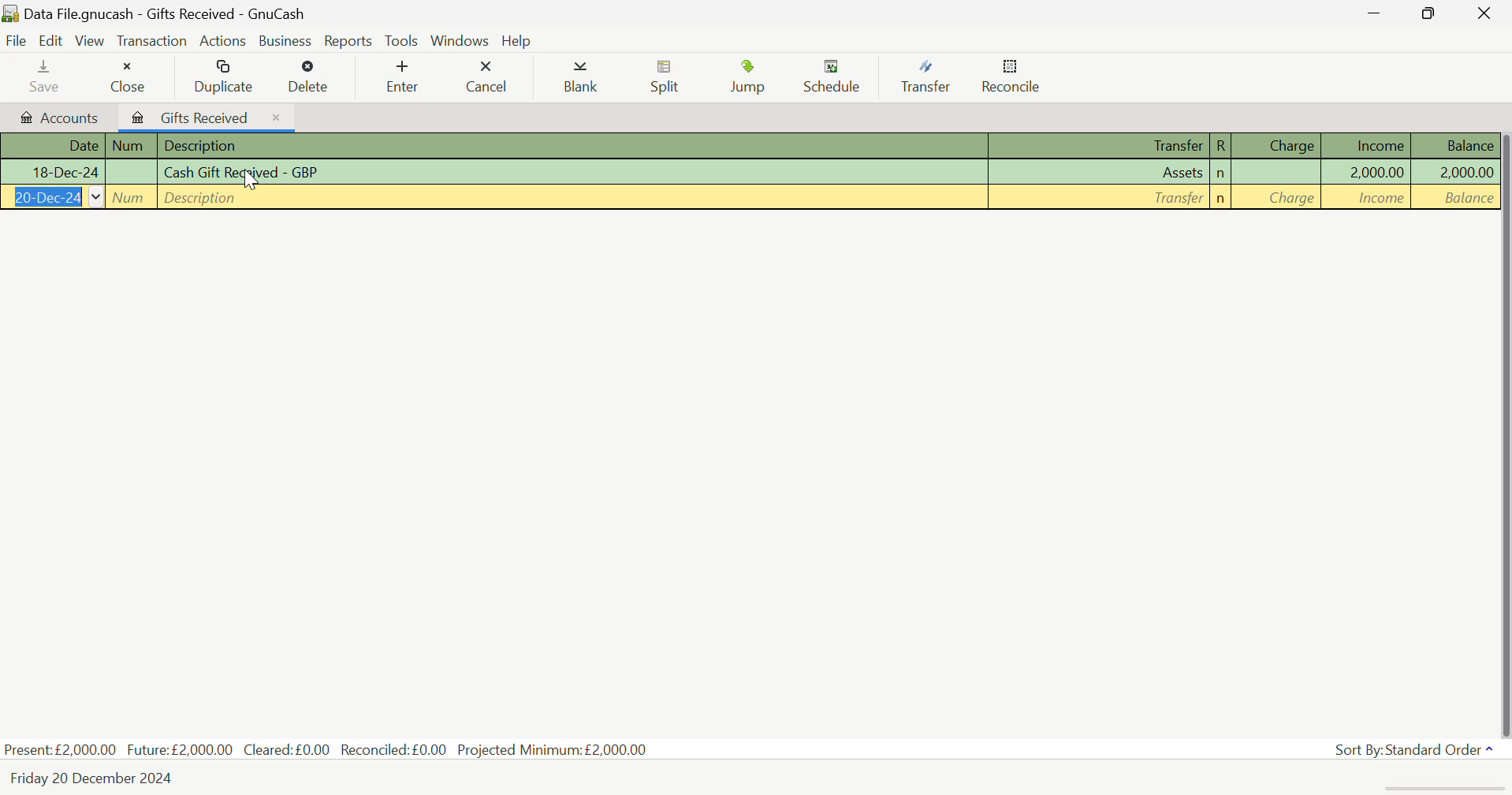 The width and height of the screenshot is (1512, 795). What do you see at coordinates (486, 74) in the screenshot?
I see `Cancel` at bounding box center [486, 74].